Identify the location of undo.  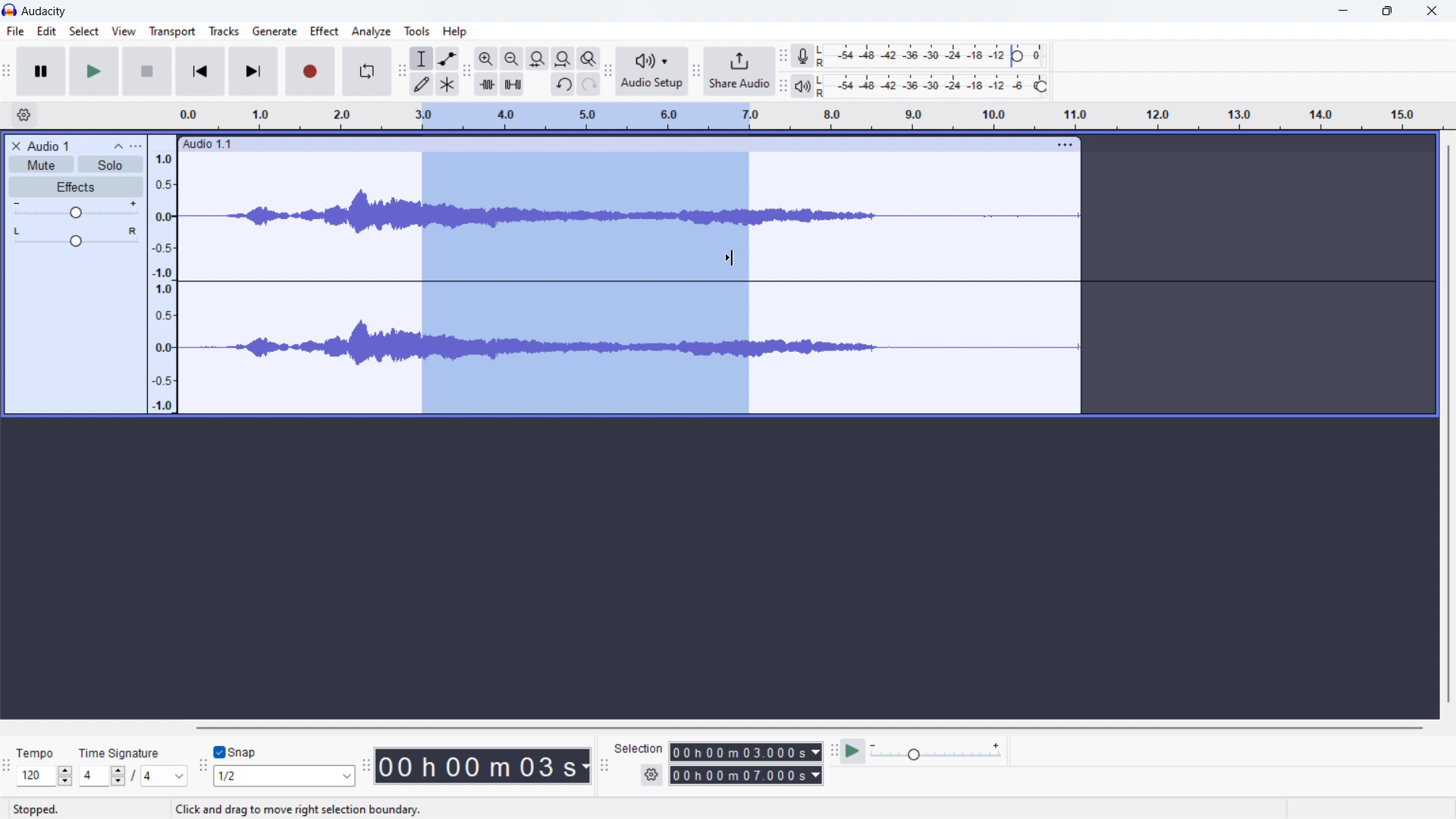
(563, 83).